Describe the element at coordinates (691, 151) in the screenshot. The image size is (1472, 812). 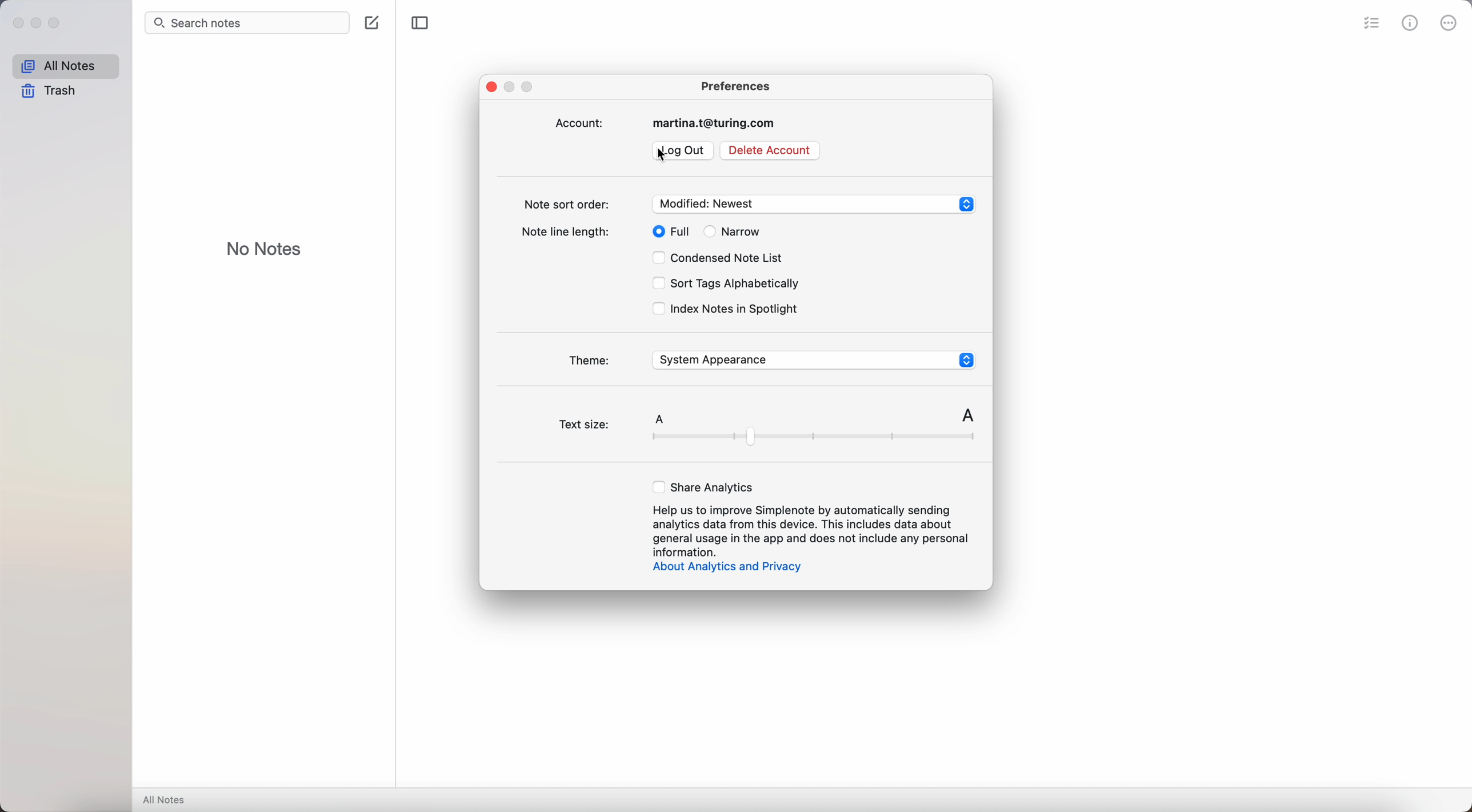
I see `log out` at that location.